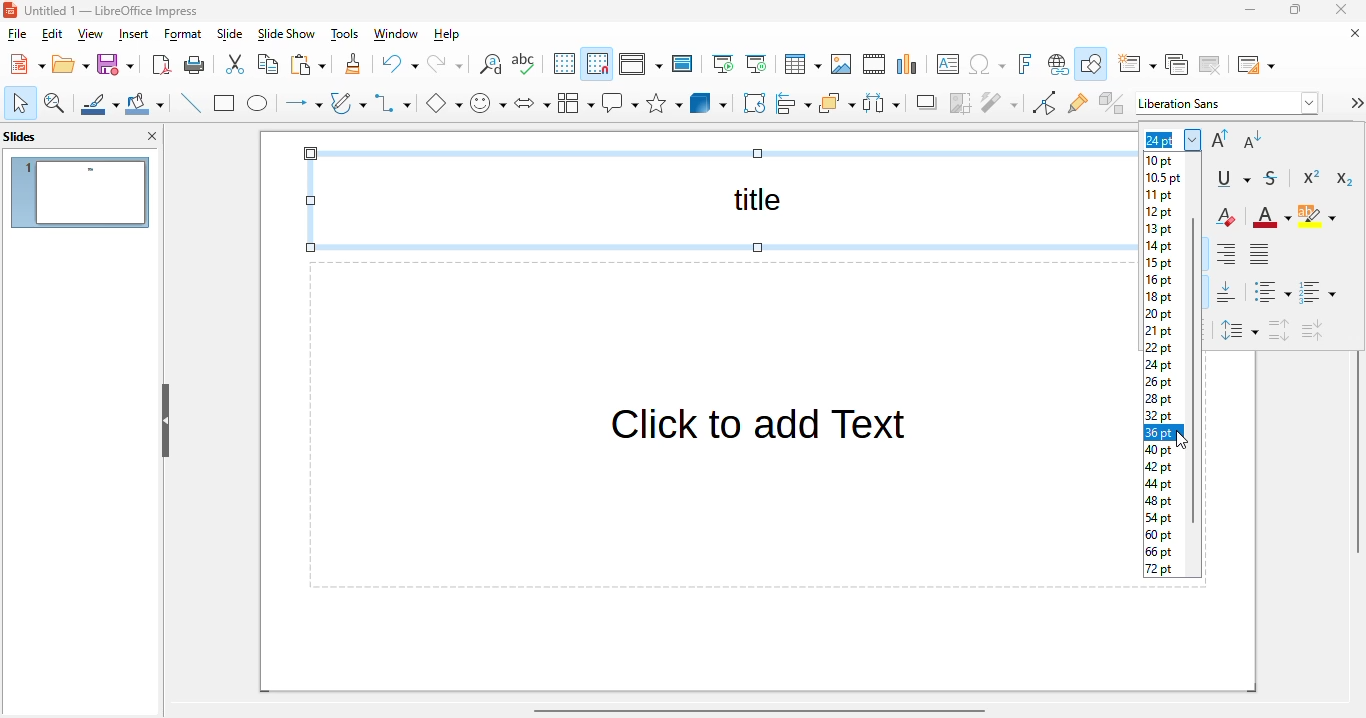 Image resolution: width=1366 pixels, height=718 pixels. What do you see at coordinates (598, 64) in the screenshot?
I see `snap to grid` at bounding box center [598, 64].